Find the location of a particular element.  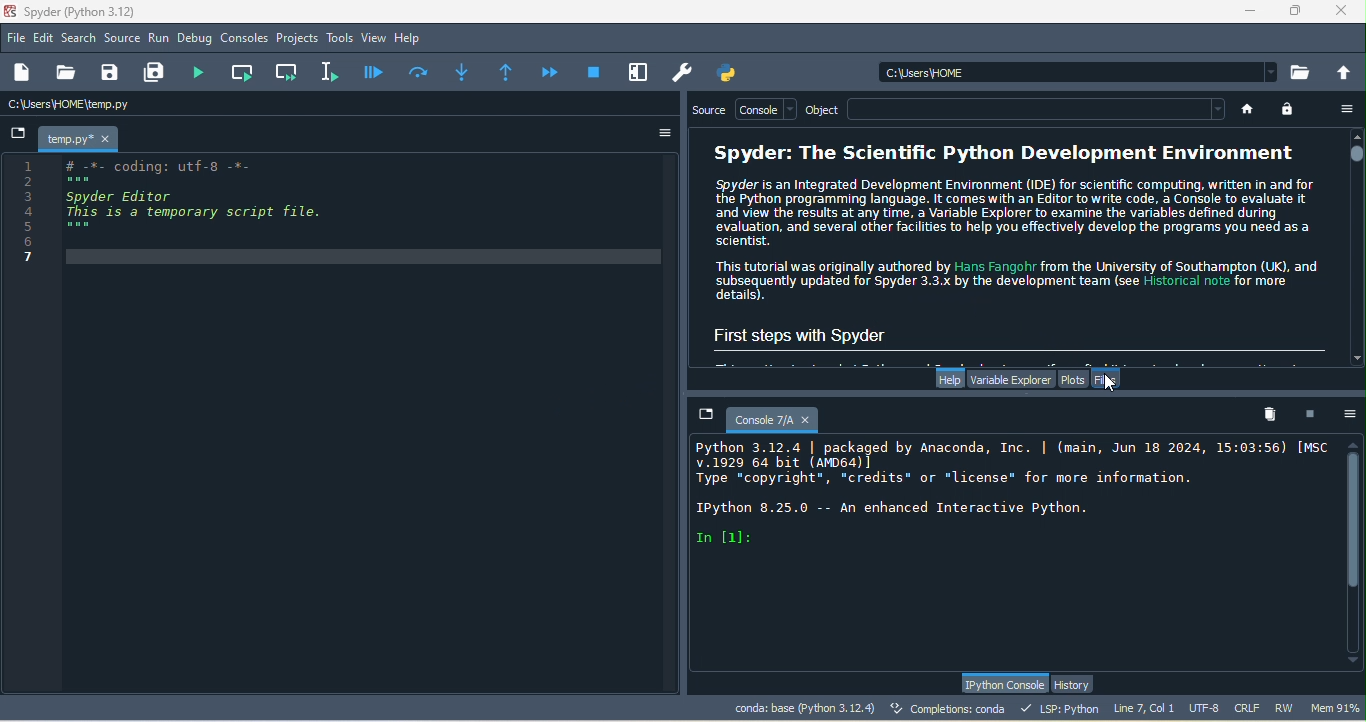

console is located at coordinates (768, 109).